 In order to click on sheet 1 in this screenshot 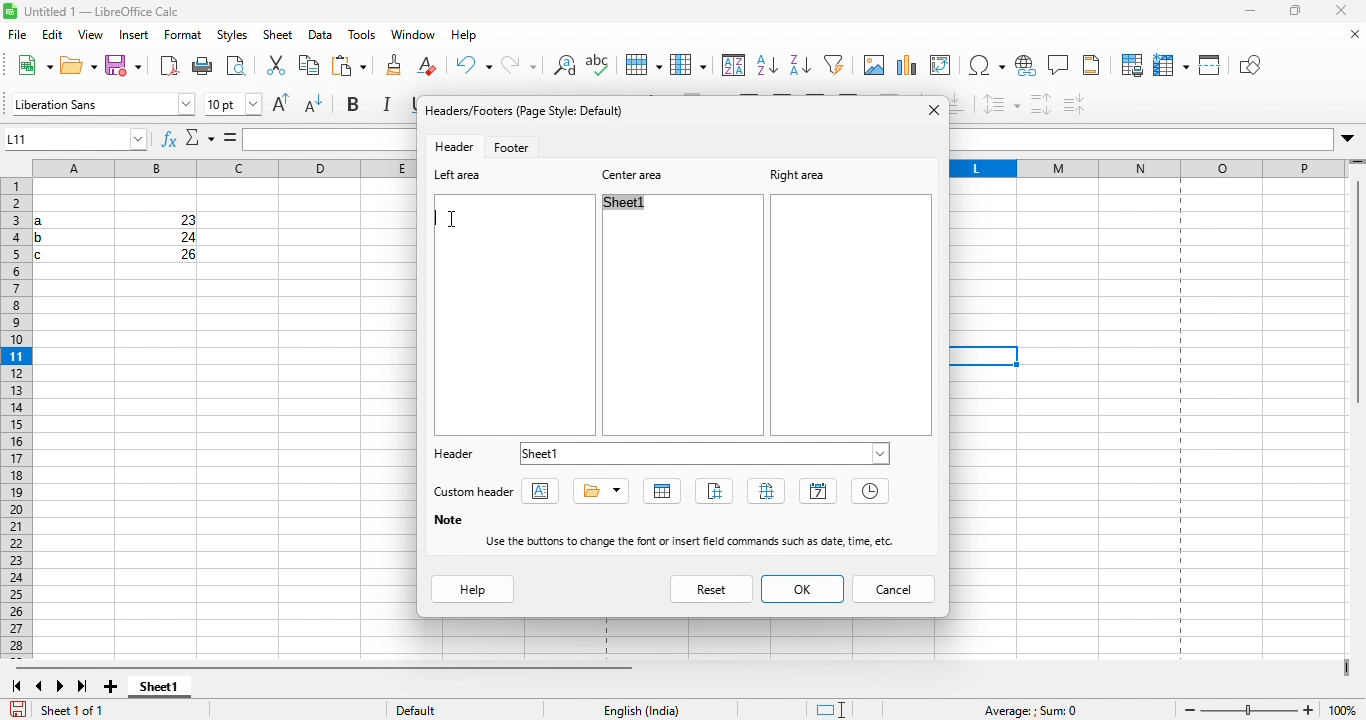, I will do `click(167, 690)`.